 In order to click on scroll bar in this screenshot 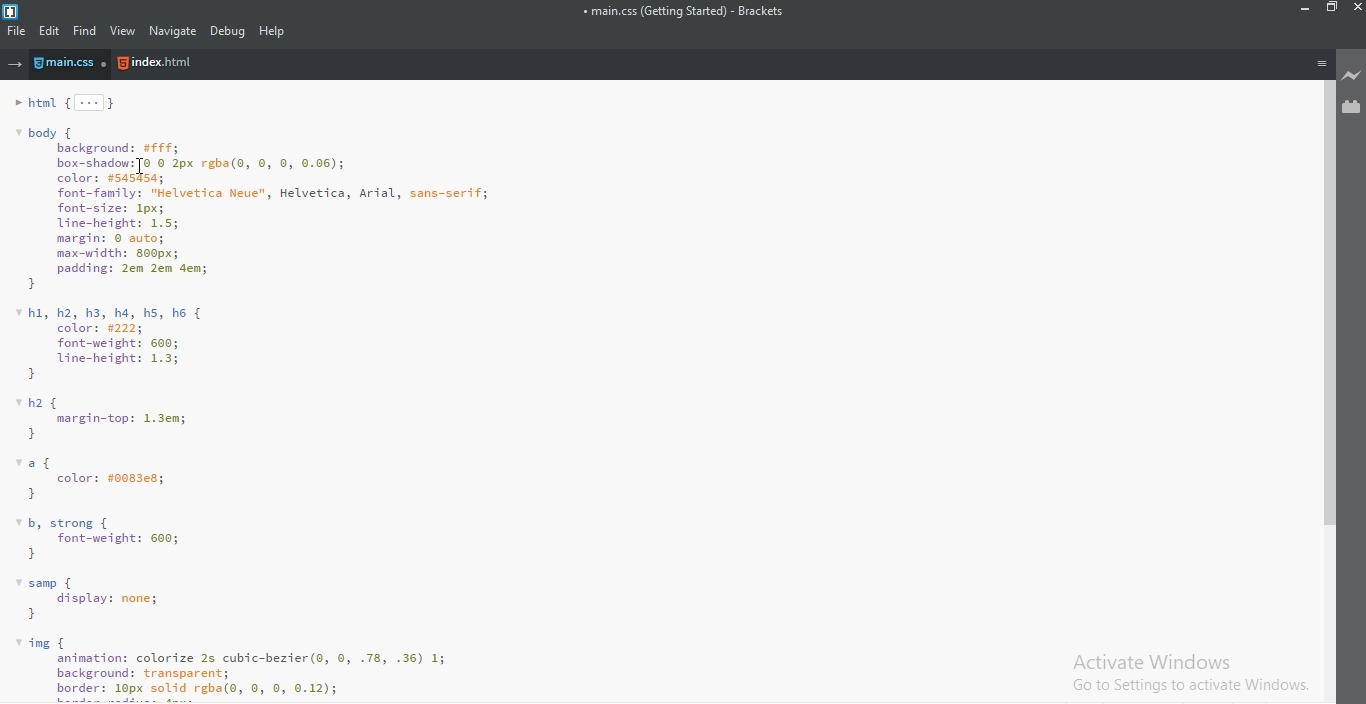, I will do `click(1324, 302)`.